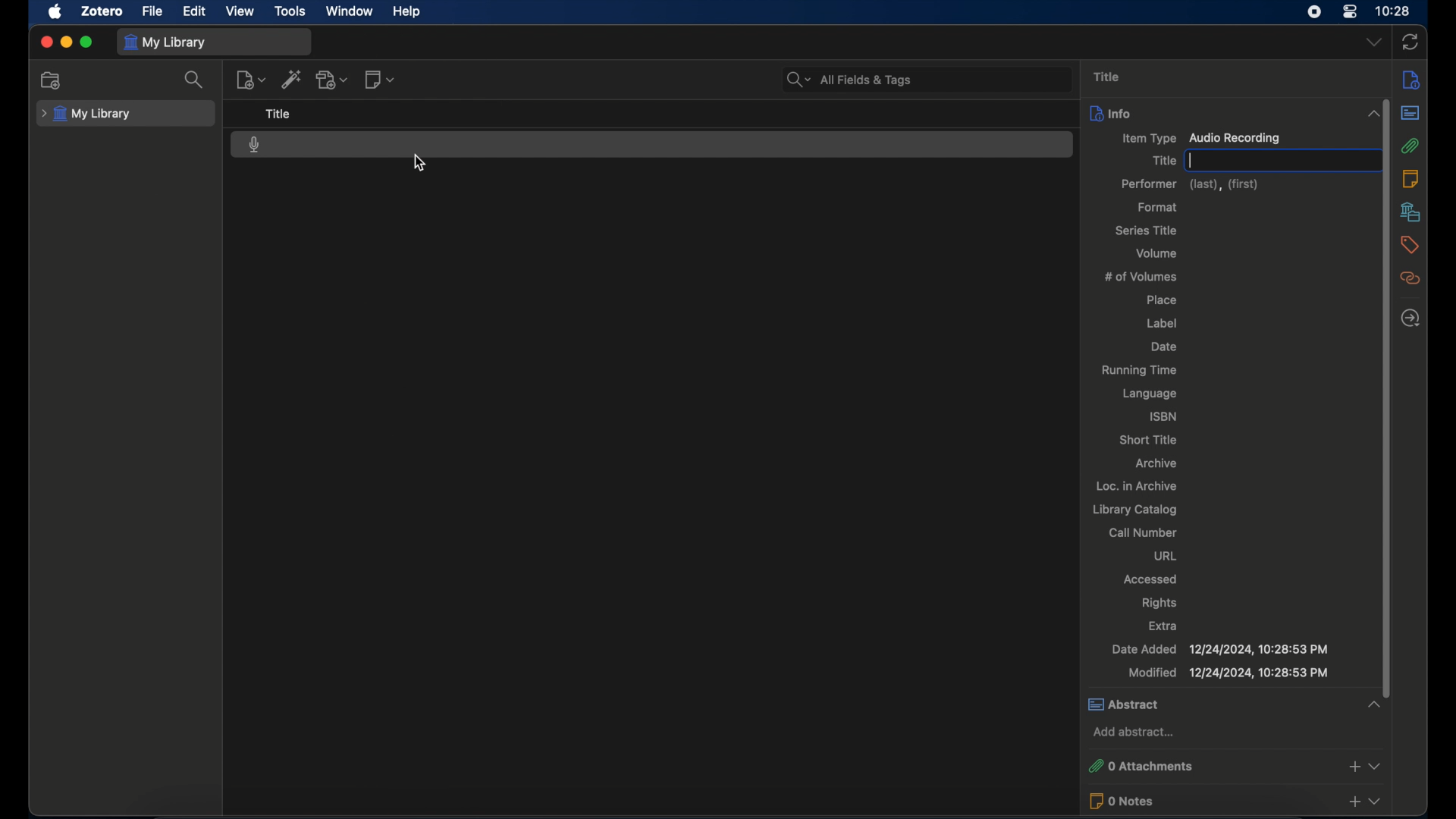  I want to click on url, so click(1165, 557).